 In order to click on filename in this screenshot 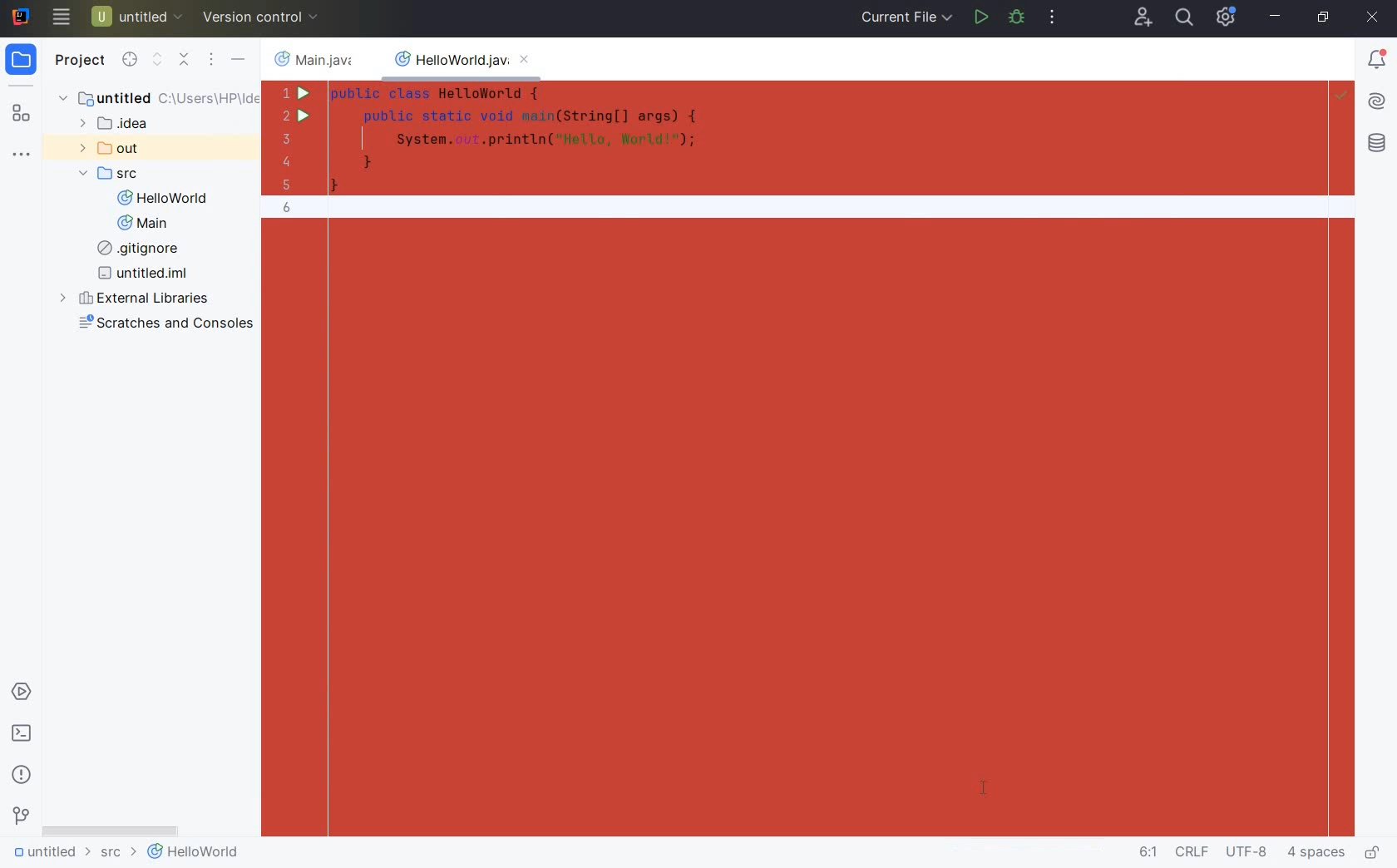, I will do `click(317, 59)`.